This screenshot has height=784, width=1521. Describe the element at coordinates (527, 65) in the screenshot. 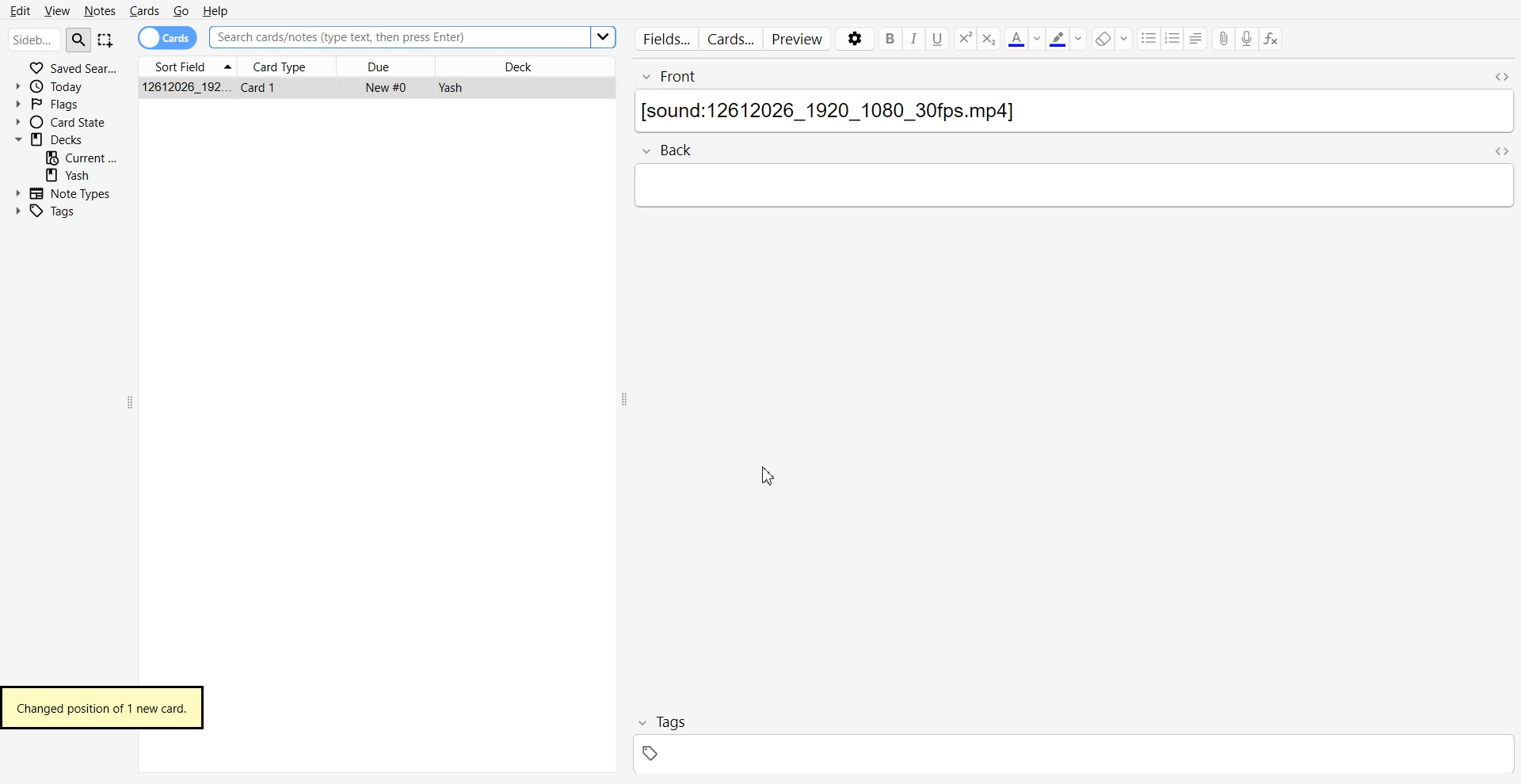

I see `Deck` at that location.